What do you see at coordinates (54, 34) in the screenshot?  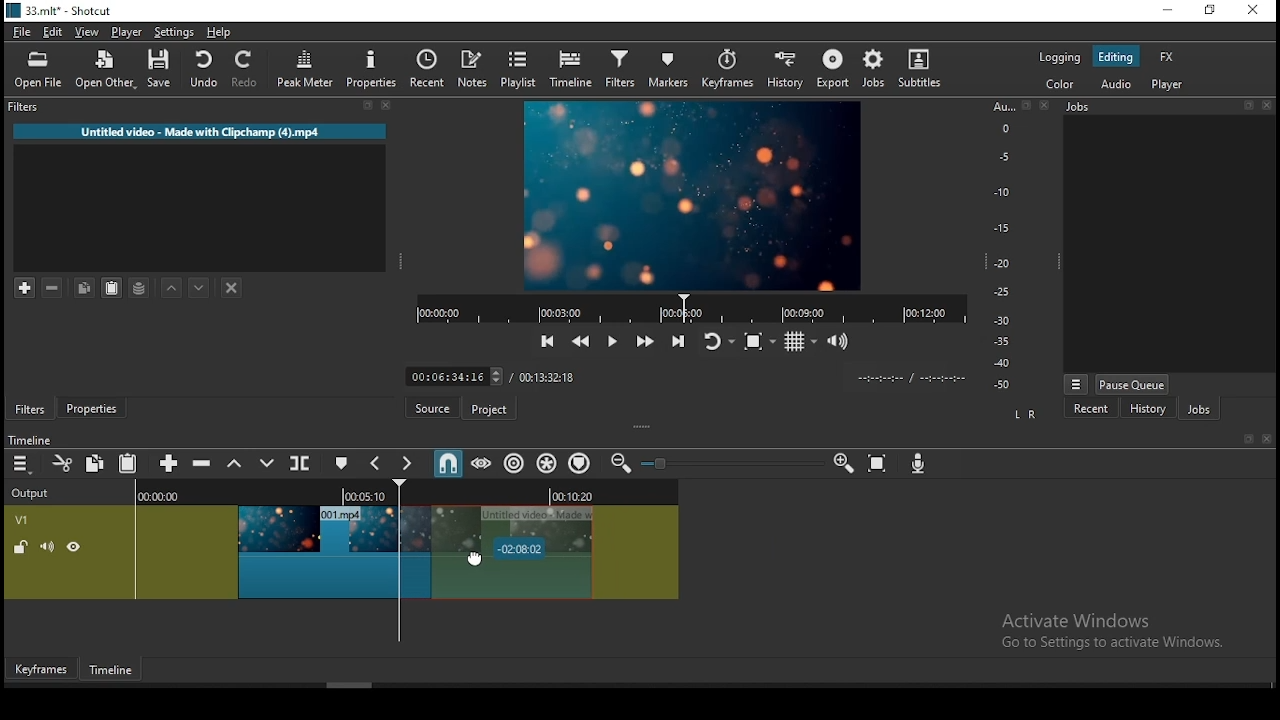 I see `edit` at bounding box center [54, 34].